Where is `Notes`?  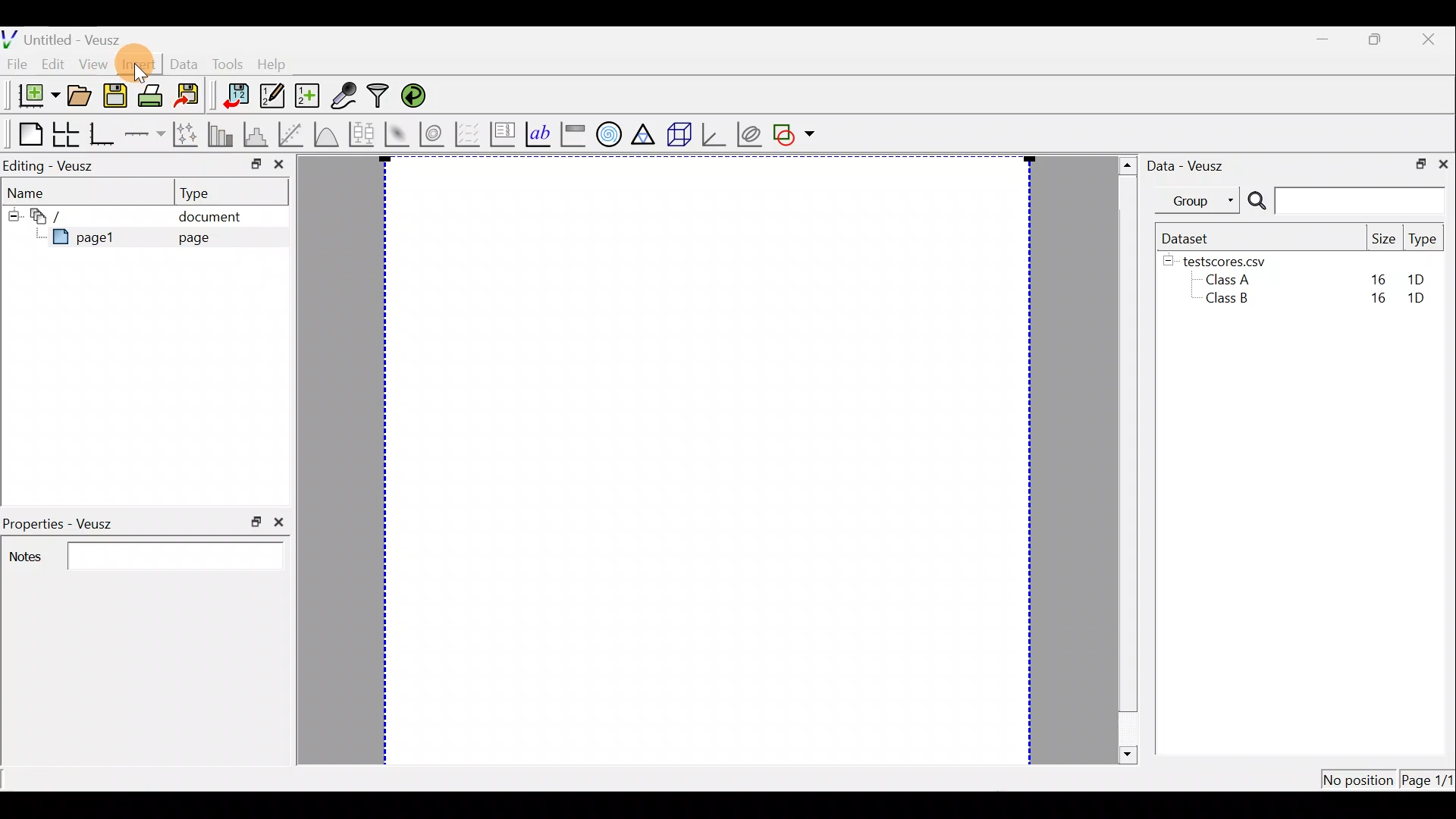
Notes is located at coordinates (143, 554).